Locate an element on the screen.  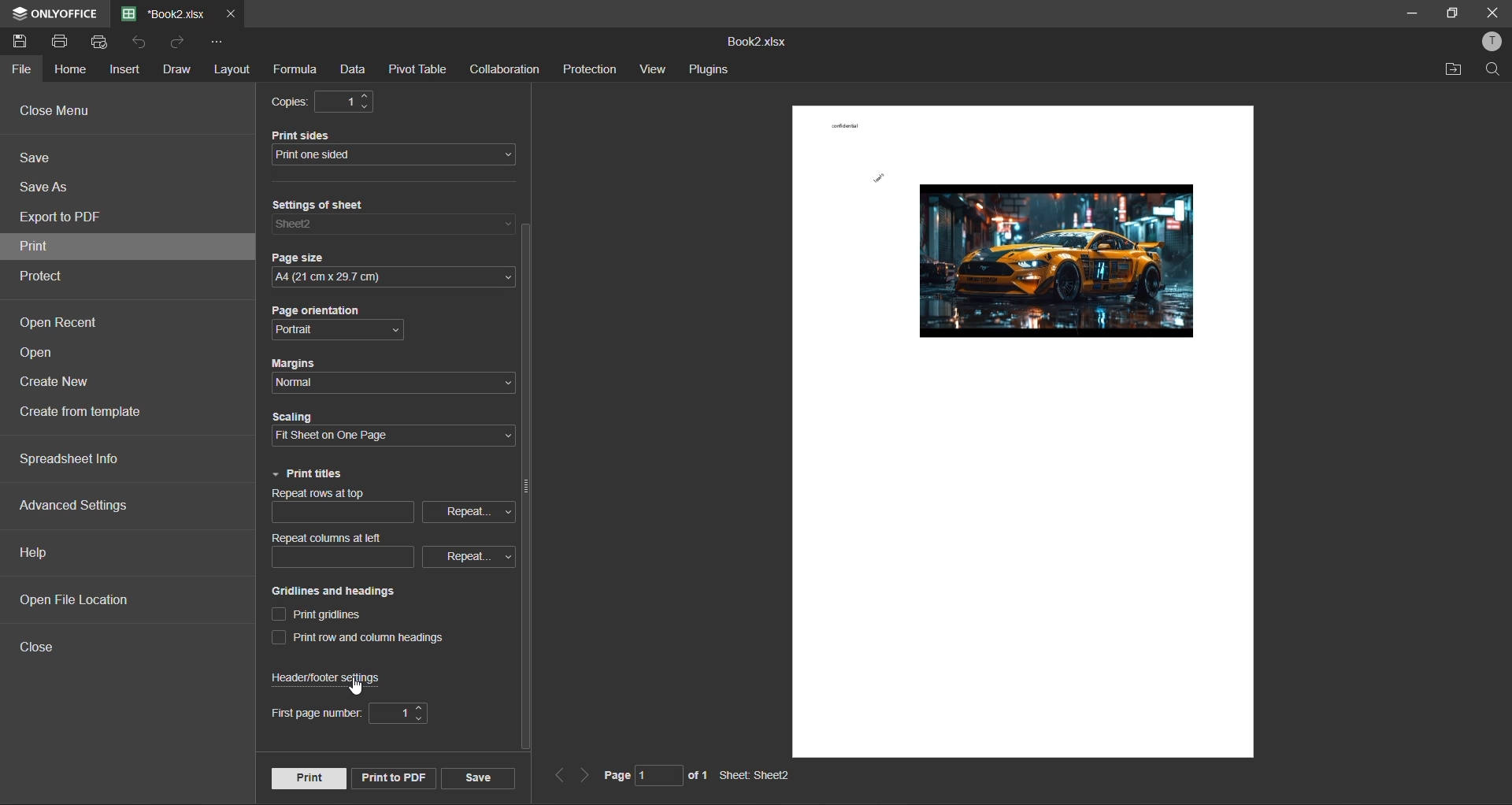
export to pdf is located at coordinates (65, 215).